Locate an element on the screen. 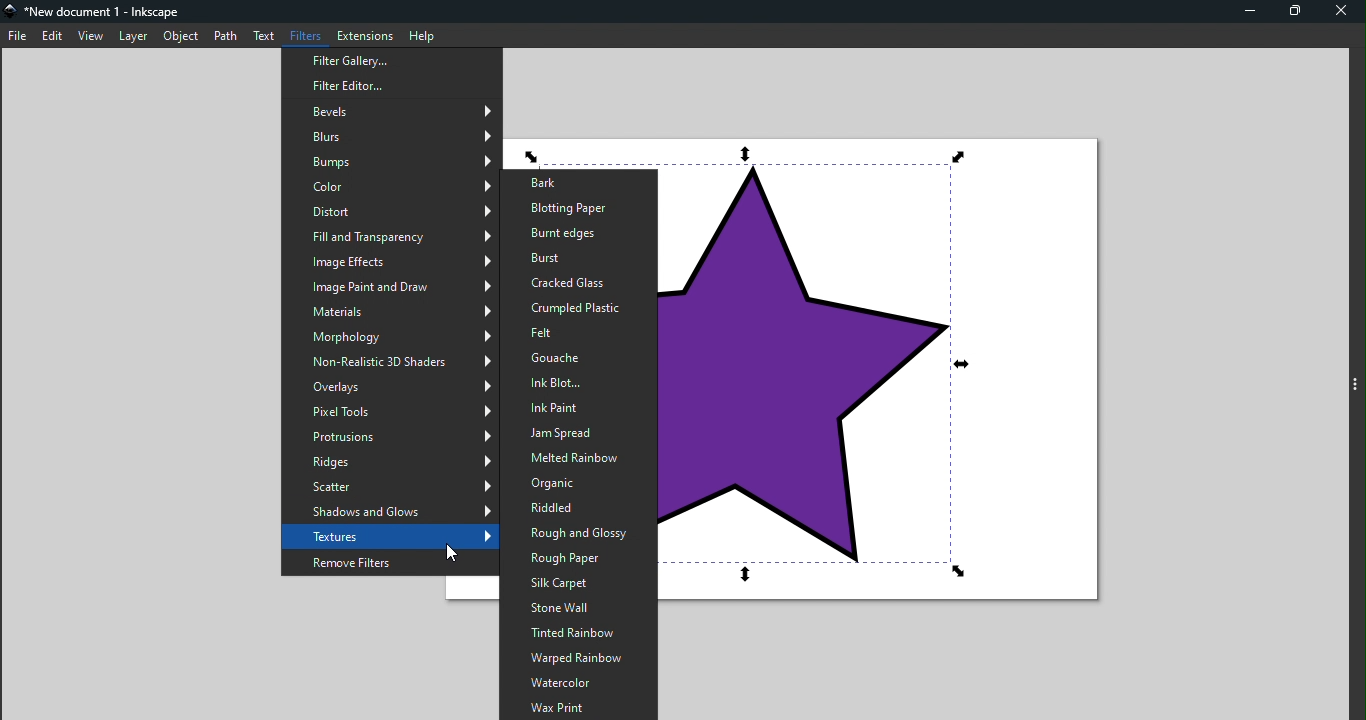 The width and height of the screenshot is (1366, 720). Bevels is located at coordinates (389, 112).